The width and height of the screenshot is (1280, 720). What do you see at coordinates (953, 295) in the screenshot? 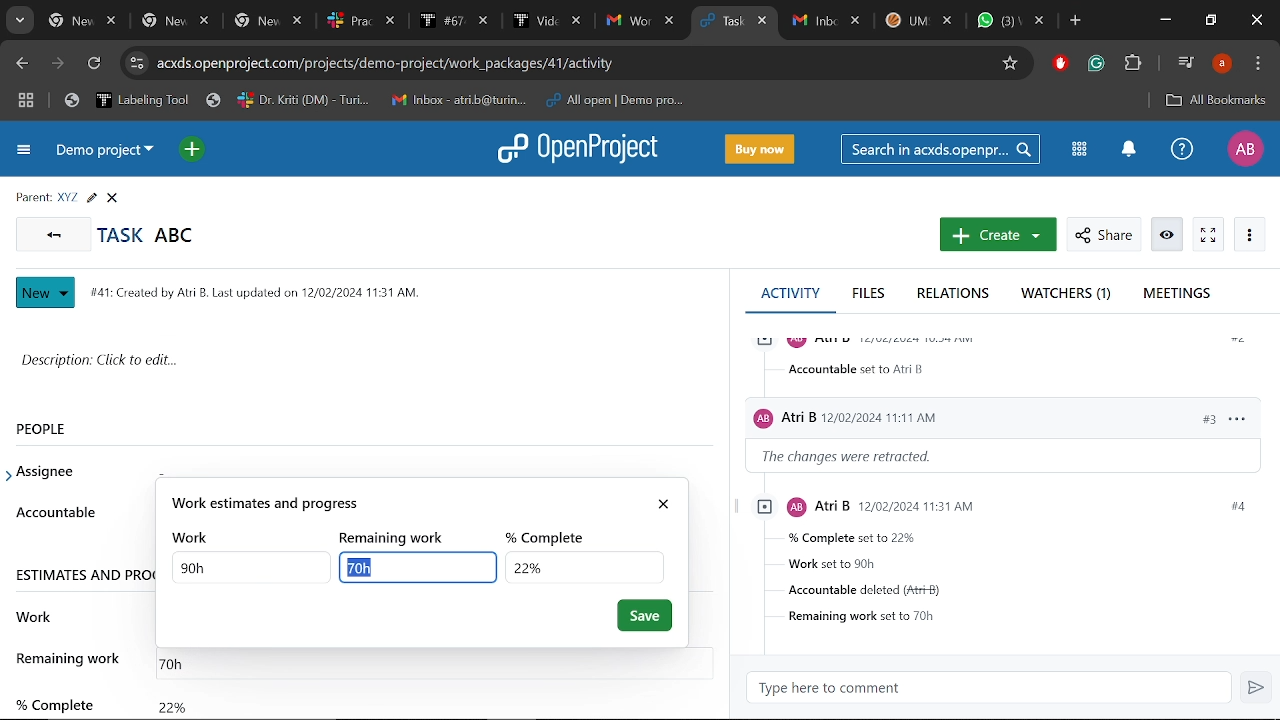
I see `Relations` at bounding box center [953, 295].